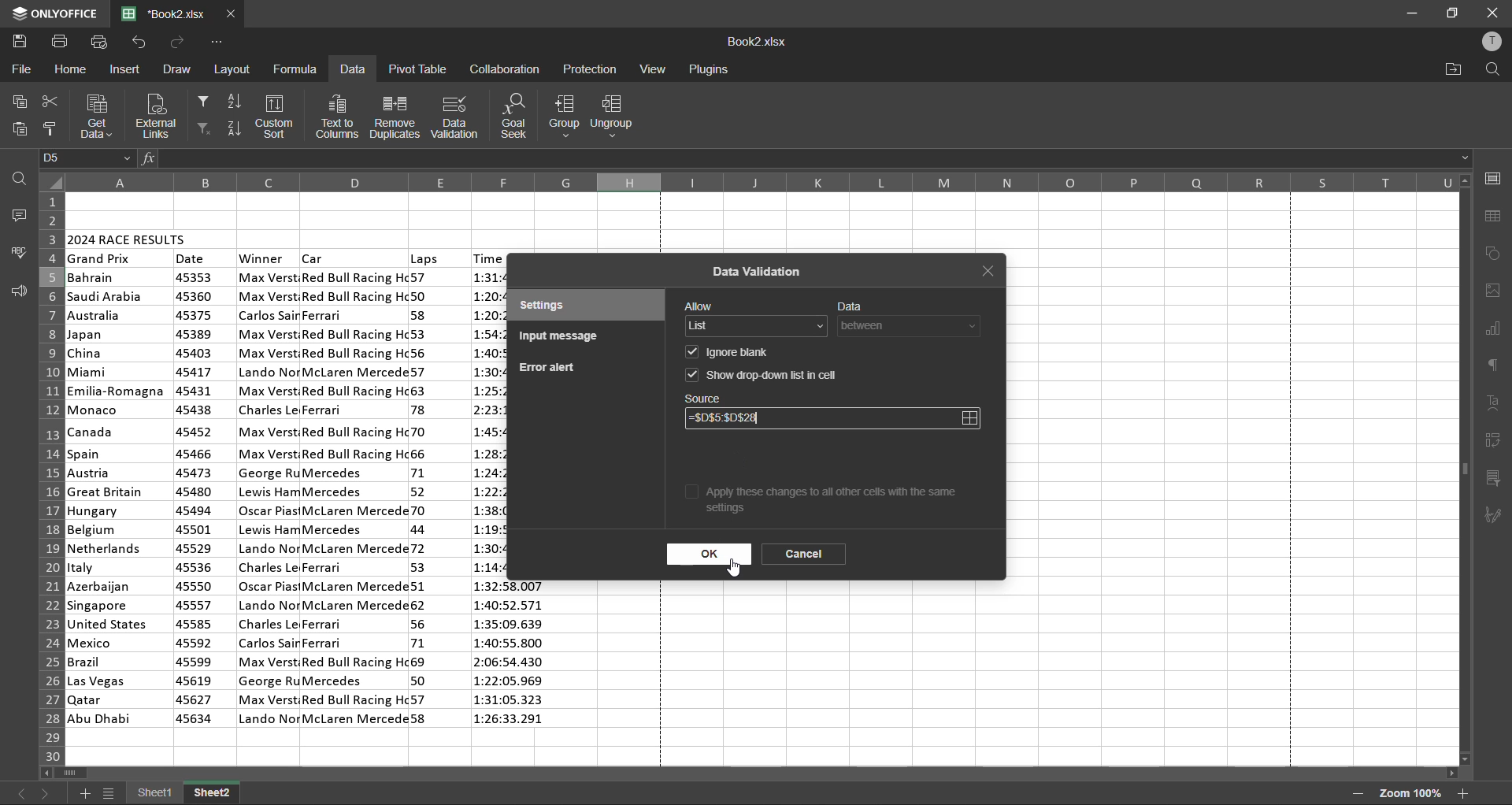 This screenshot has width=1512, height=805. I want to click on add sheet, so click(84, 793).